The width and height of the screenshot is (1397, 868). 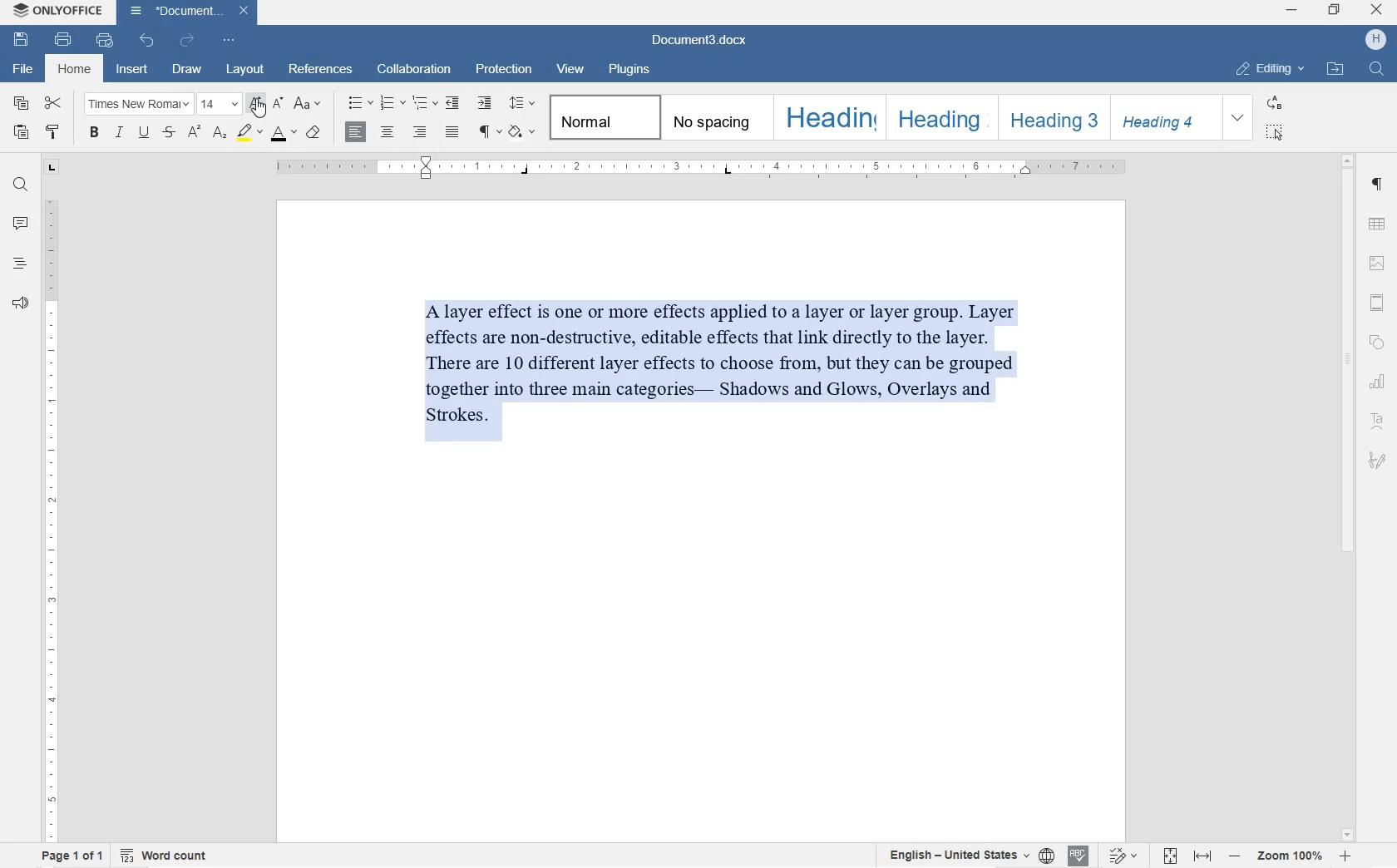 I want to click on HEADING 1, so click(x=830, y=118).